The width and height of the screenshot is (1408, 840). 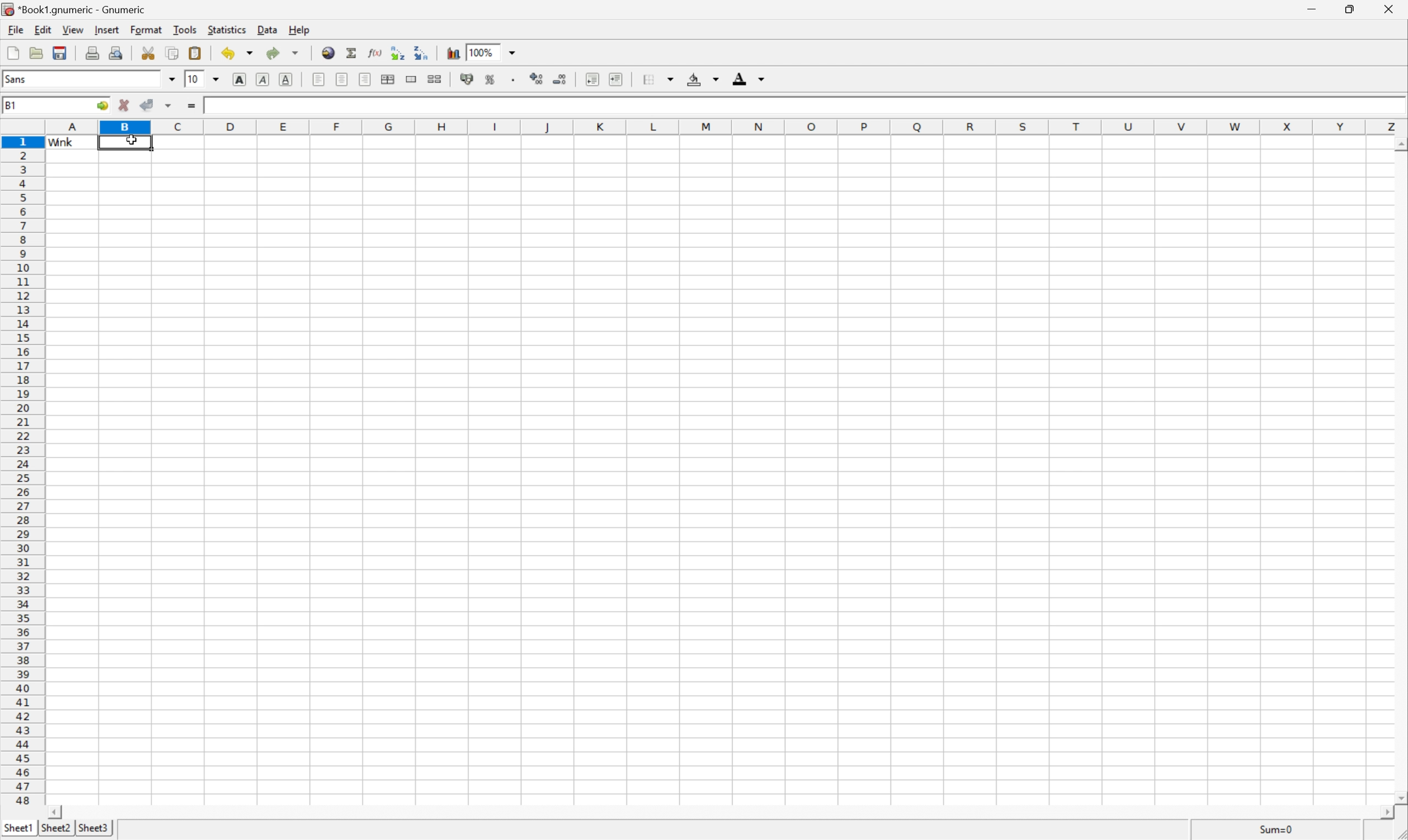 I want to click on insert hyperlink, so click(x=328, y=53).